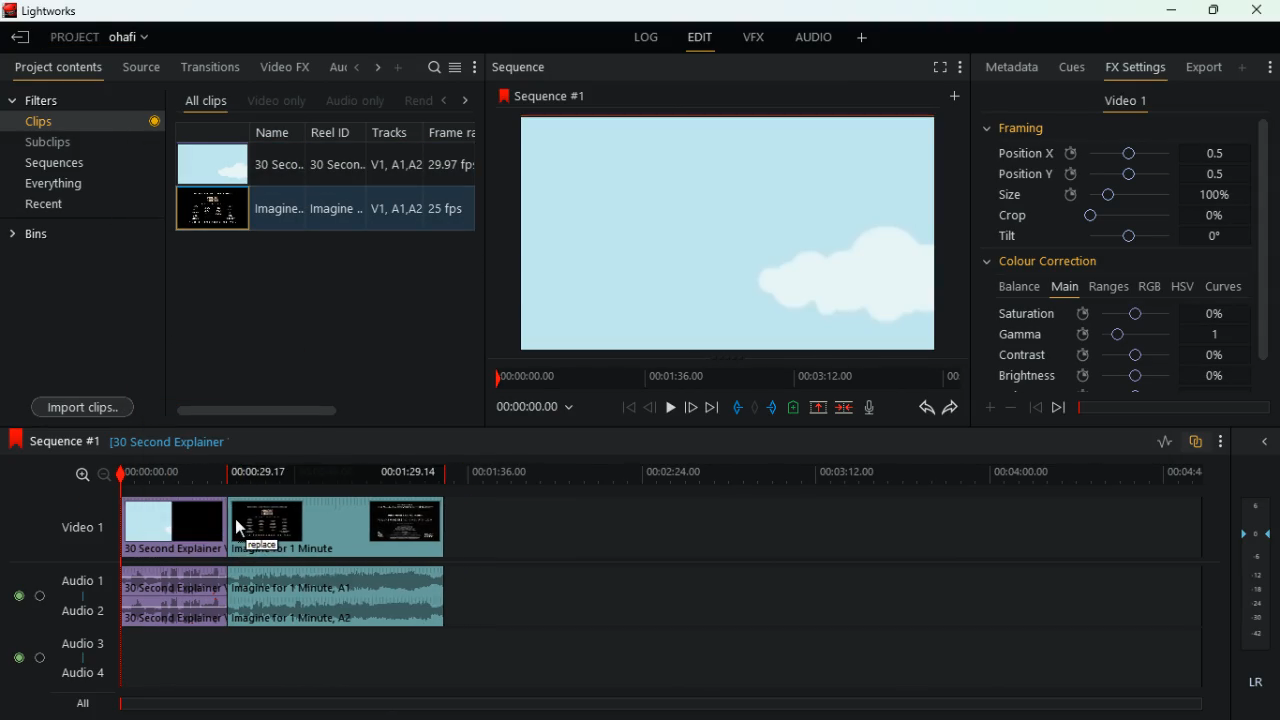 This screenshot has width=1280, height=720. Describe the element at coordinates (660, 474) in the screenshot. I see `time` at that location.